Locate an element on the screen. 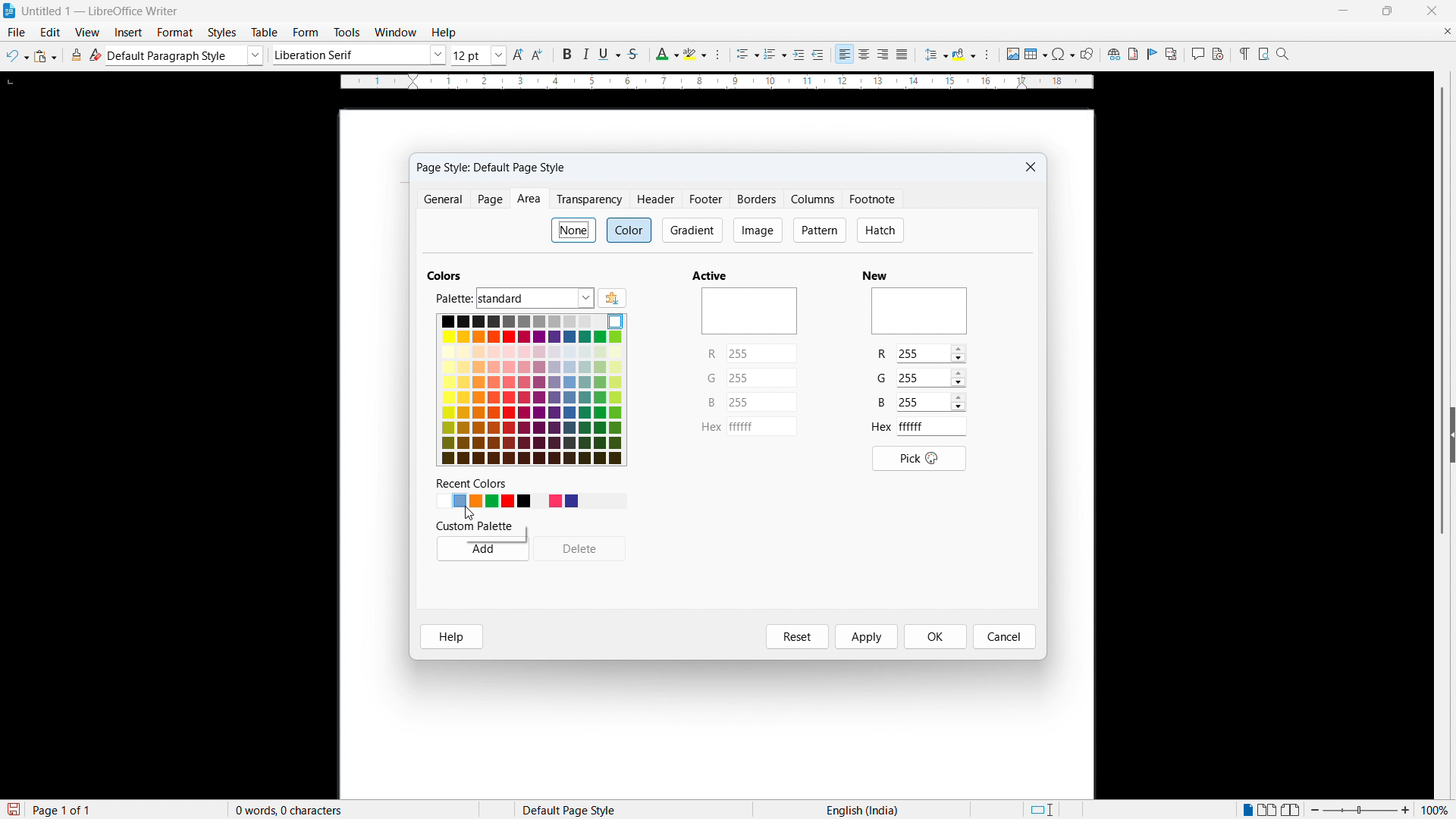  expand sidebar is located at coordinates (1451, 434).